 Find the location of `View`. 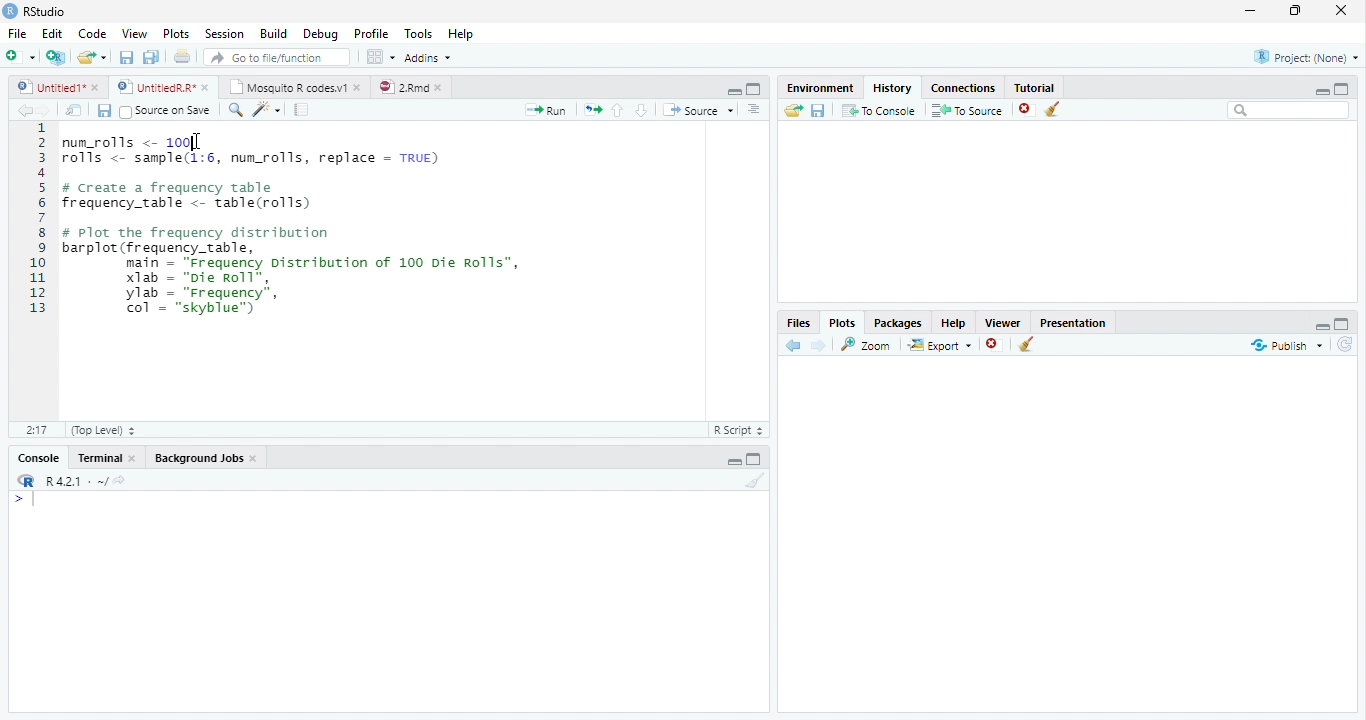

View is located at coordinates (135, 32).